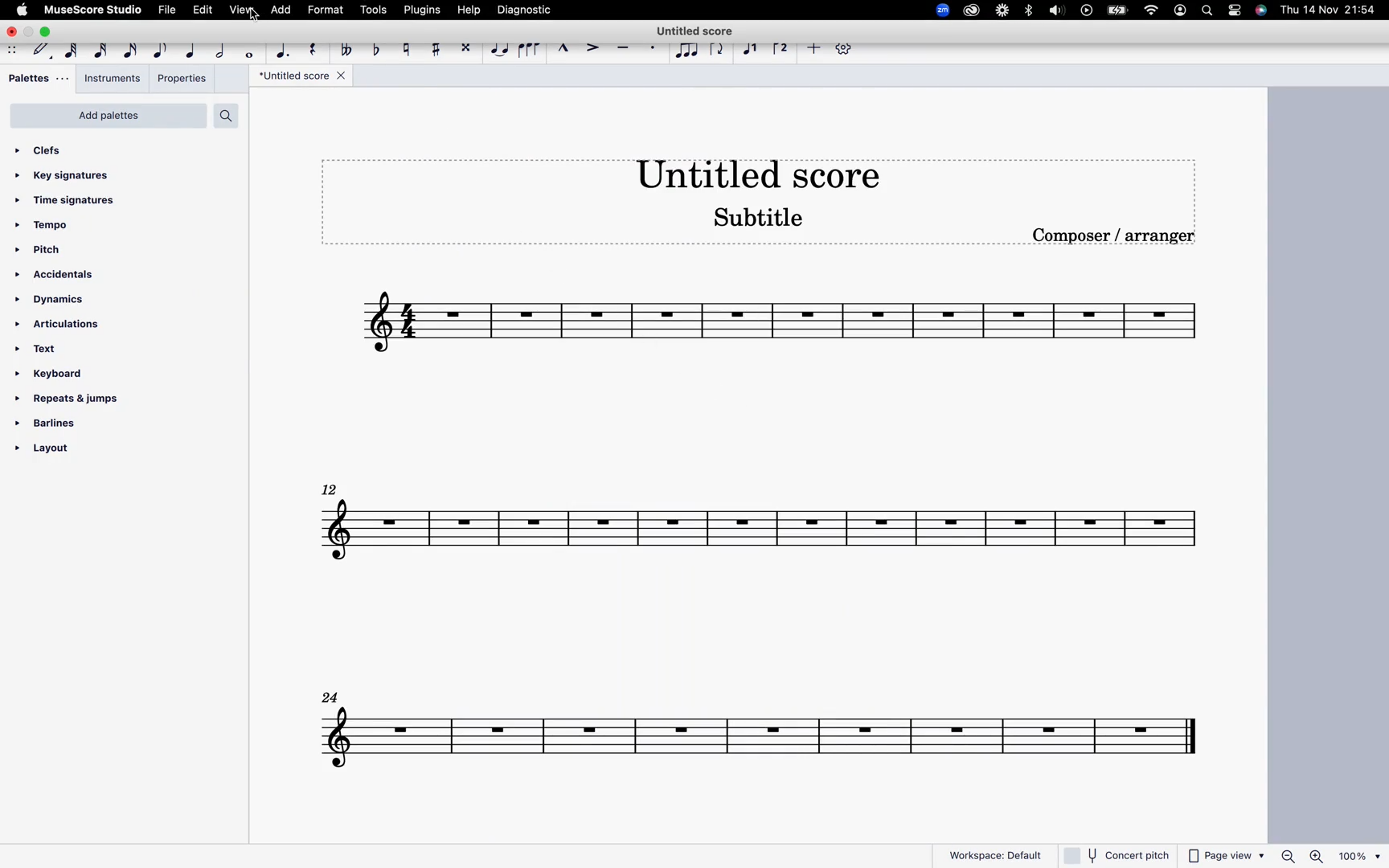  Describe the element at coordinates (432, 48) in the screenshot. I see `toggle sharp` at that location.